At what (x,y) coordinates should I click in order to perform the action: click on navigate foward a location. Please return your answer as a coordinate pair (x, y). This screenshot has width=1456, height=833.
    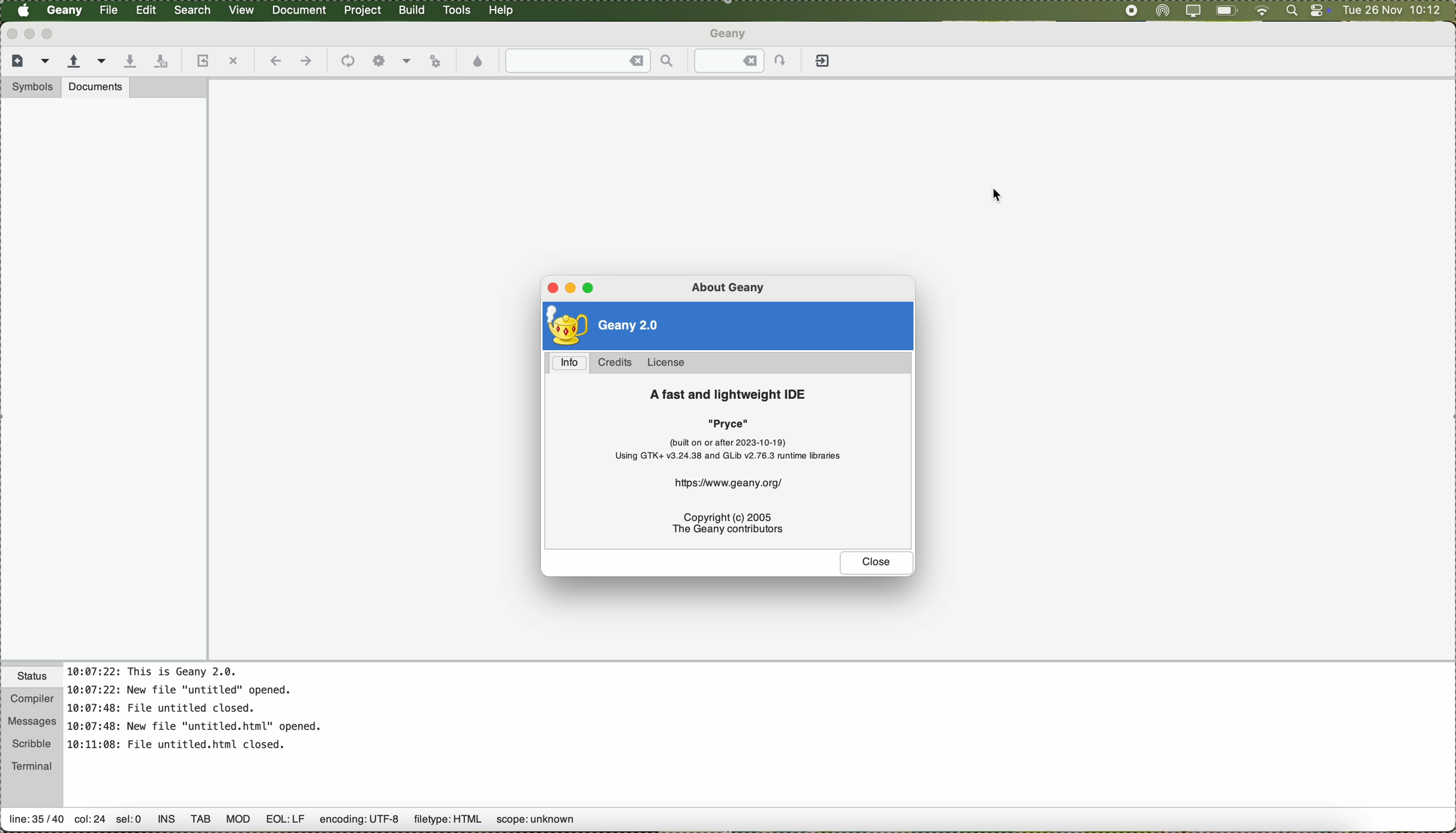
    Looking at the image, I should click on (306, 62).